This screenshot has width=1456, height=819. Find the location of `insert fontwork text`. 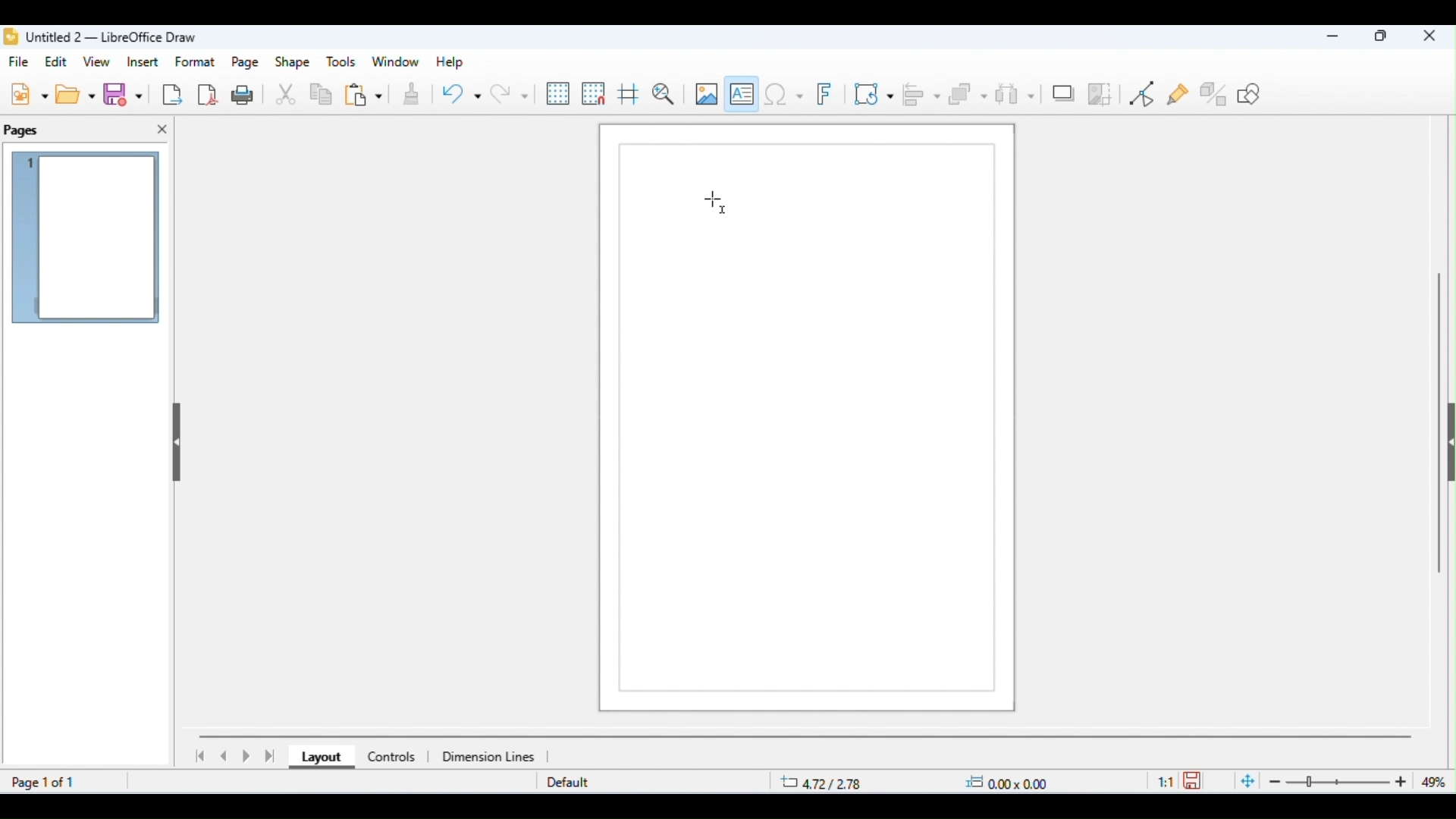

insert fontwork text is located at coordinates (827, 95).